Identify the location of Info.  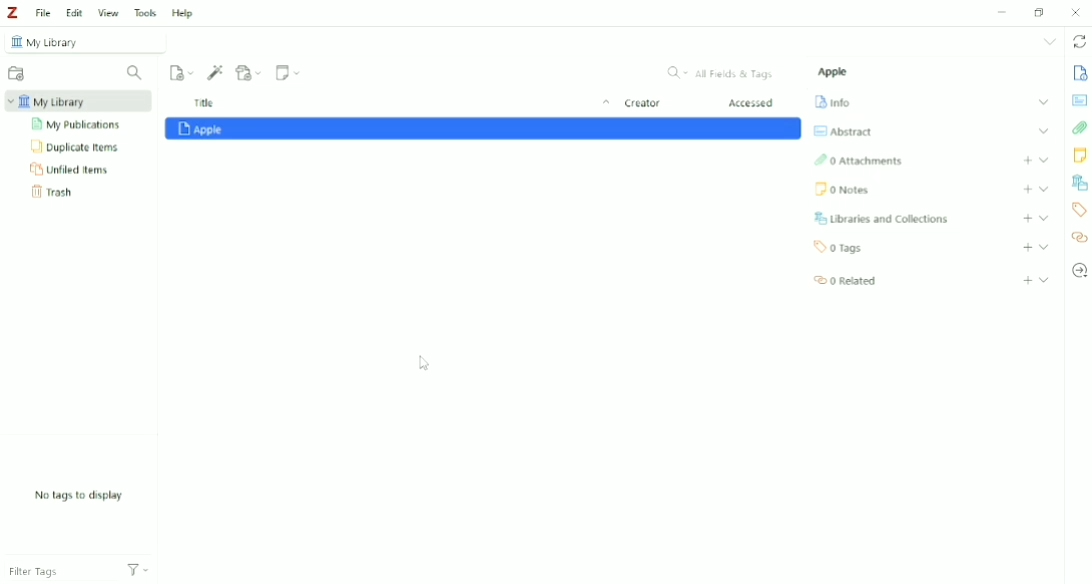
(1080, 74).